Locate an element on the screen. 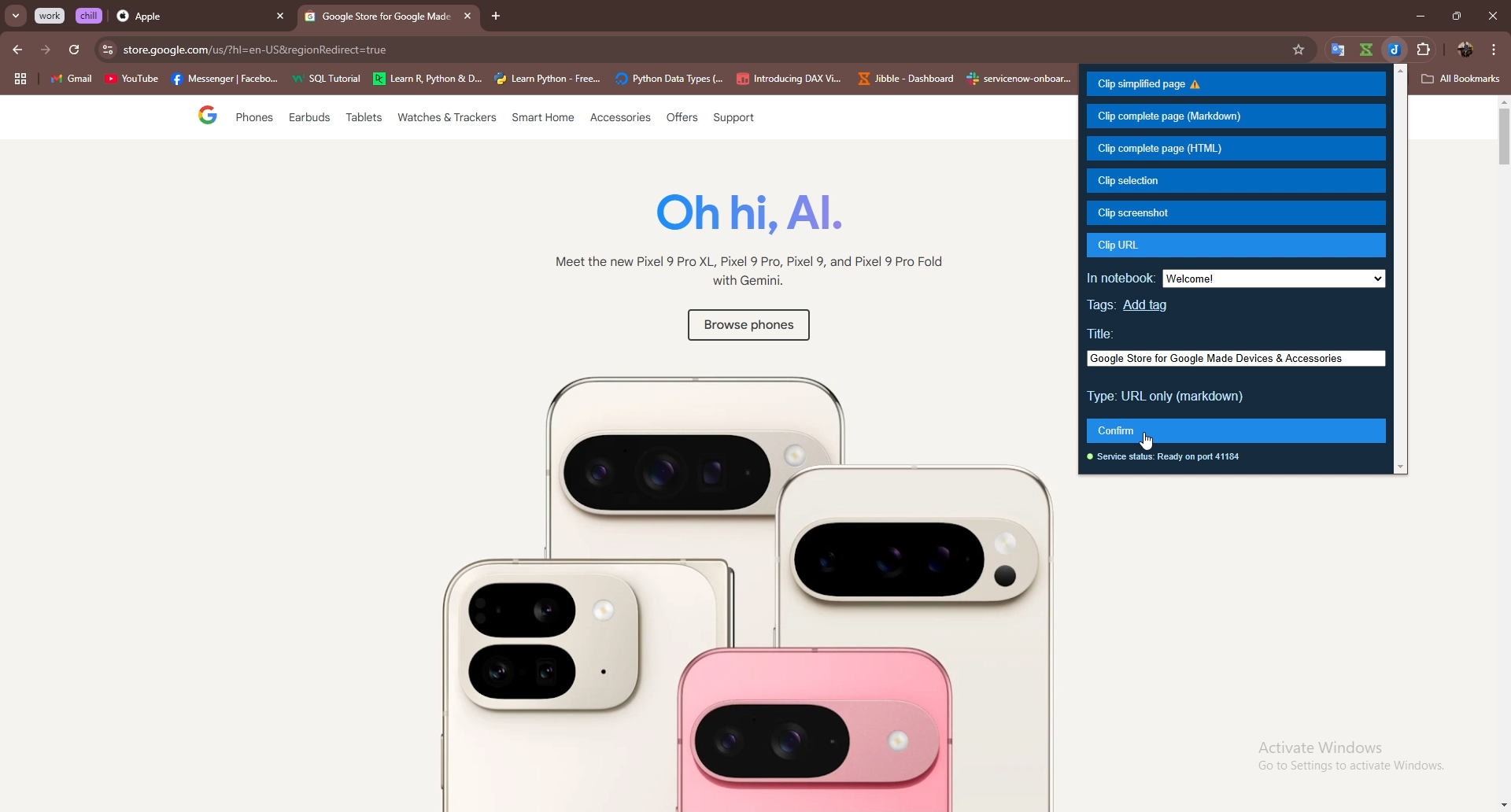 This screenshot has width=1511, height=812. jibble  is located at coordinates (1394, 50).